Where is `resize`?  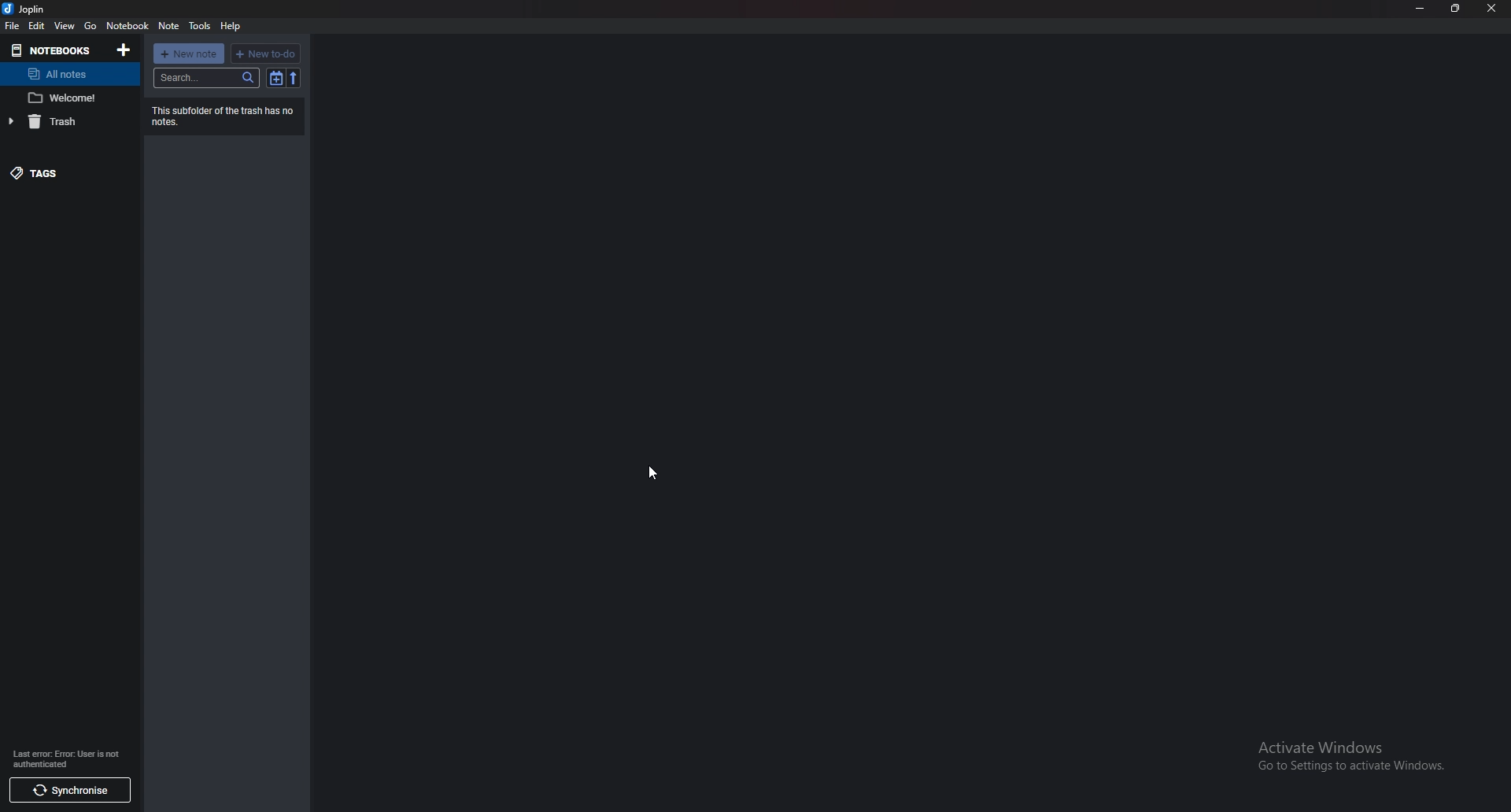
resize is located at coordinates (1455, 9).